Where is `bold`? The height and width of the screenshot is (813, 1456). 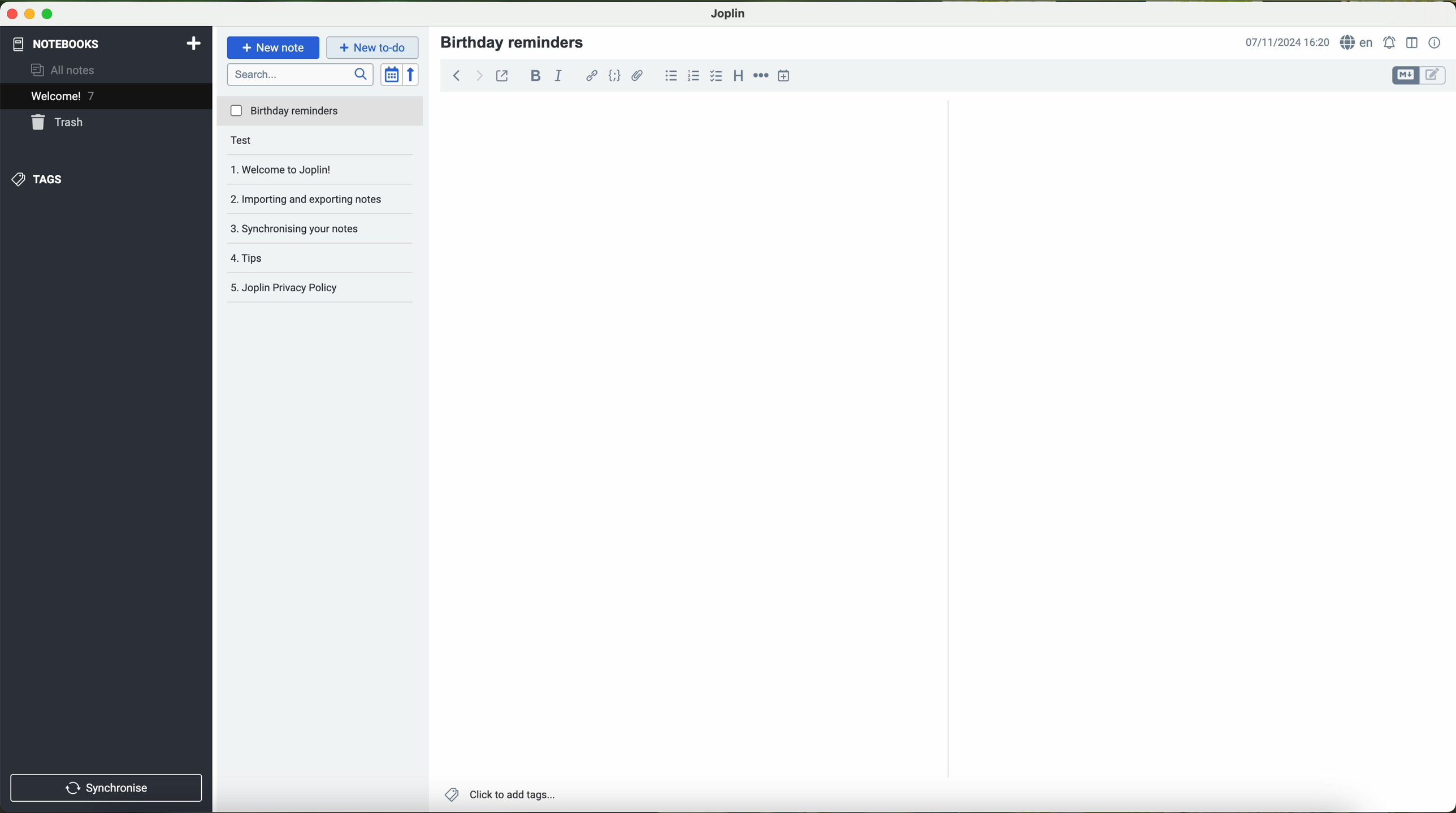 bold is located at coordinates (536, 75).